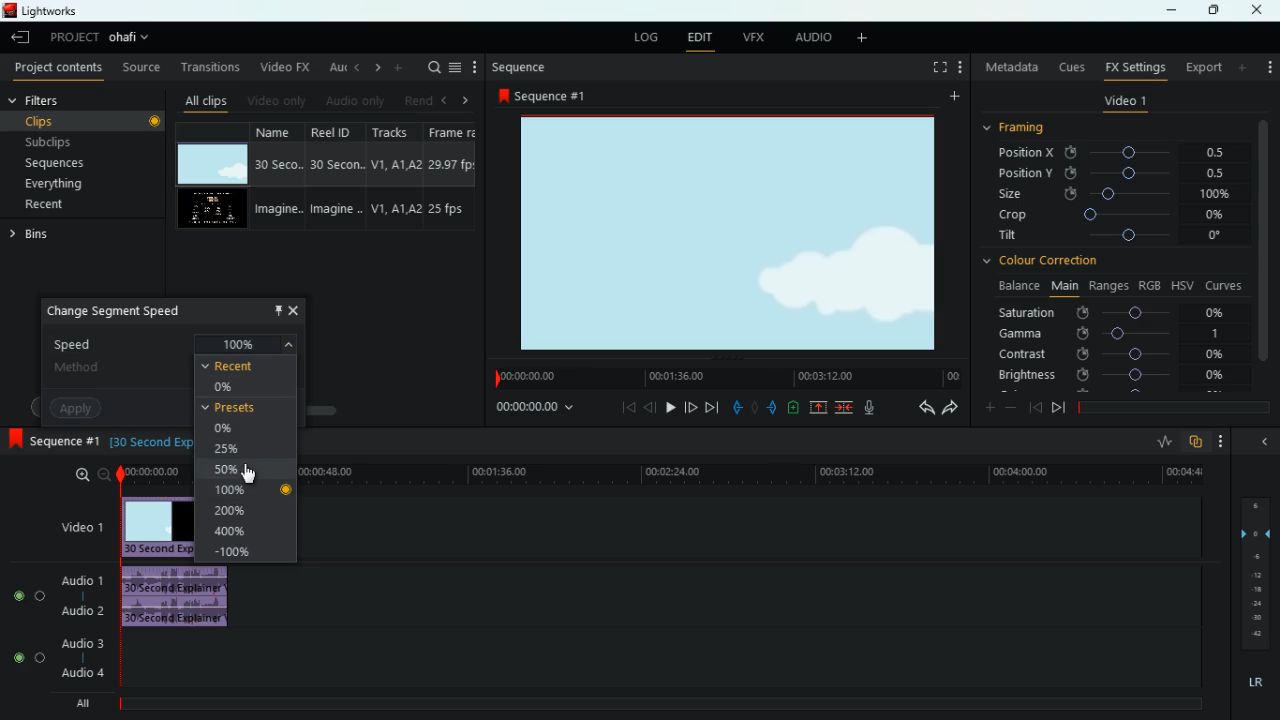 The width and height of the screenshot is (1280, 720). I want to click on main, so click(1062, 287).